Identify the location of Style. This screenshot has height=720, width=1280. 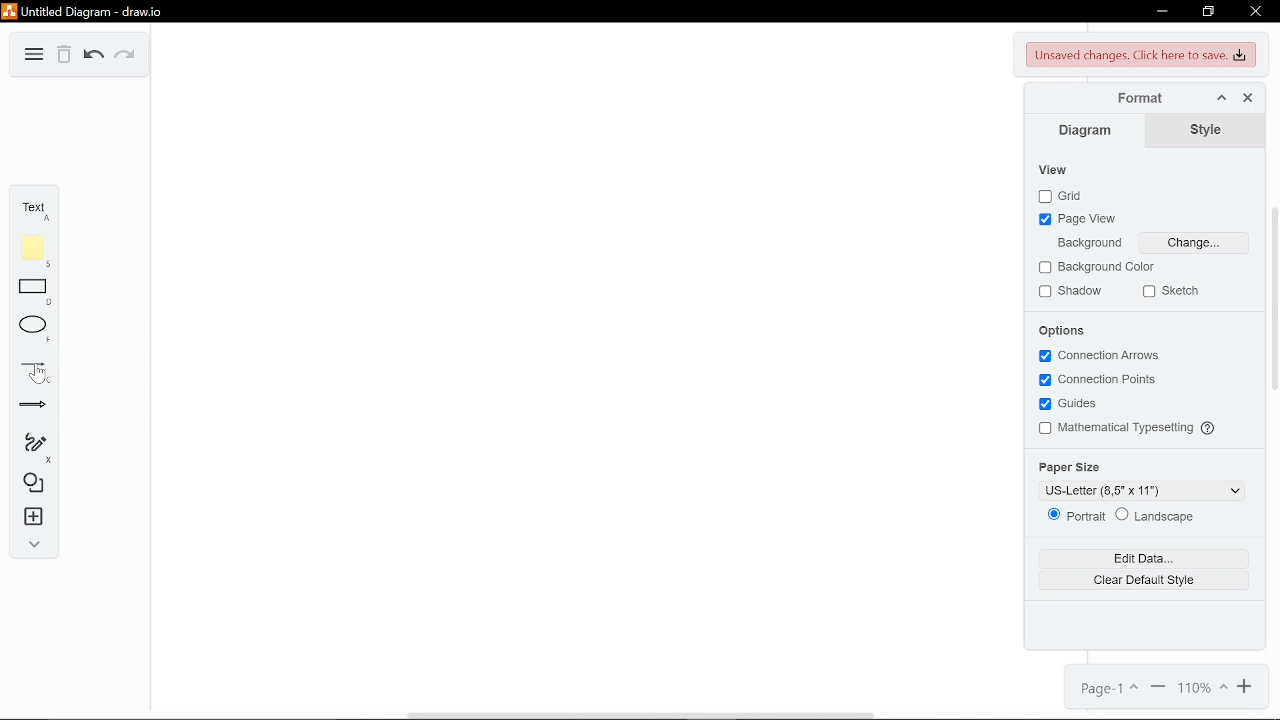
(1202, 130).